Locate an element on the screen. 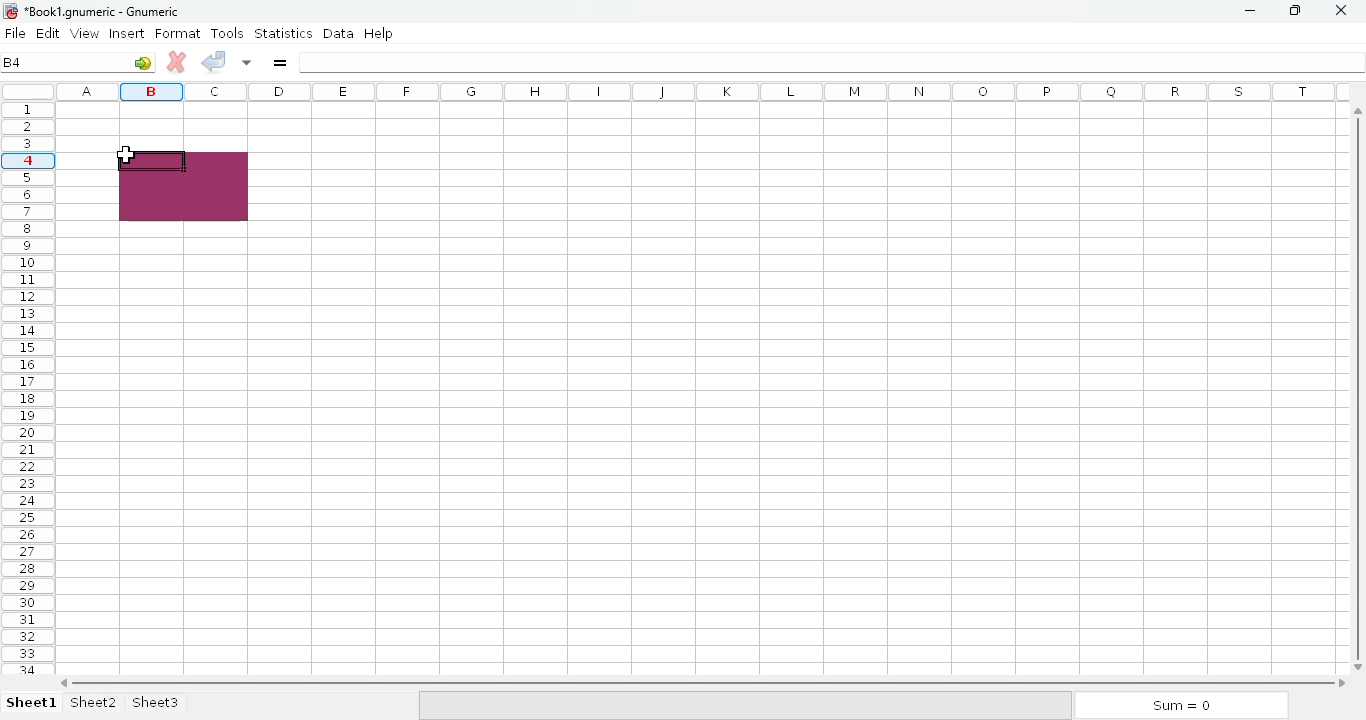 The height and width of the screenshot is (720, 1366). sheet3 is located at coordinates (156, 701).